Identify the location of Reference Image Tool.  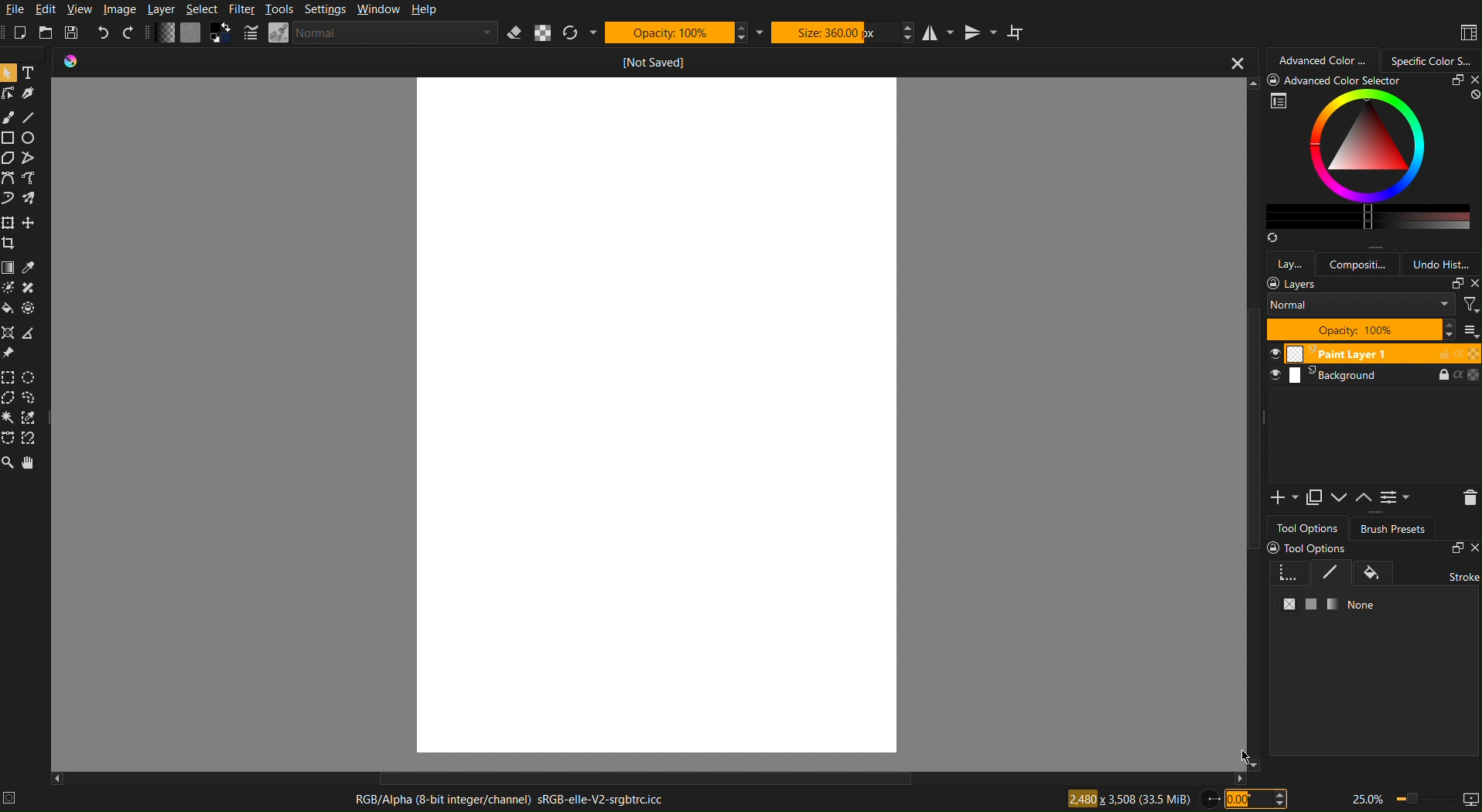
(8, 353).